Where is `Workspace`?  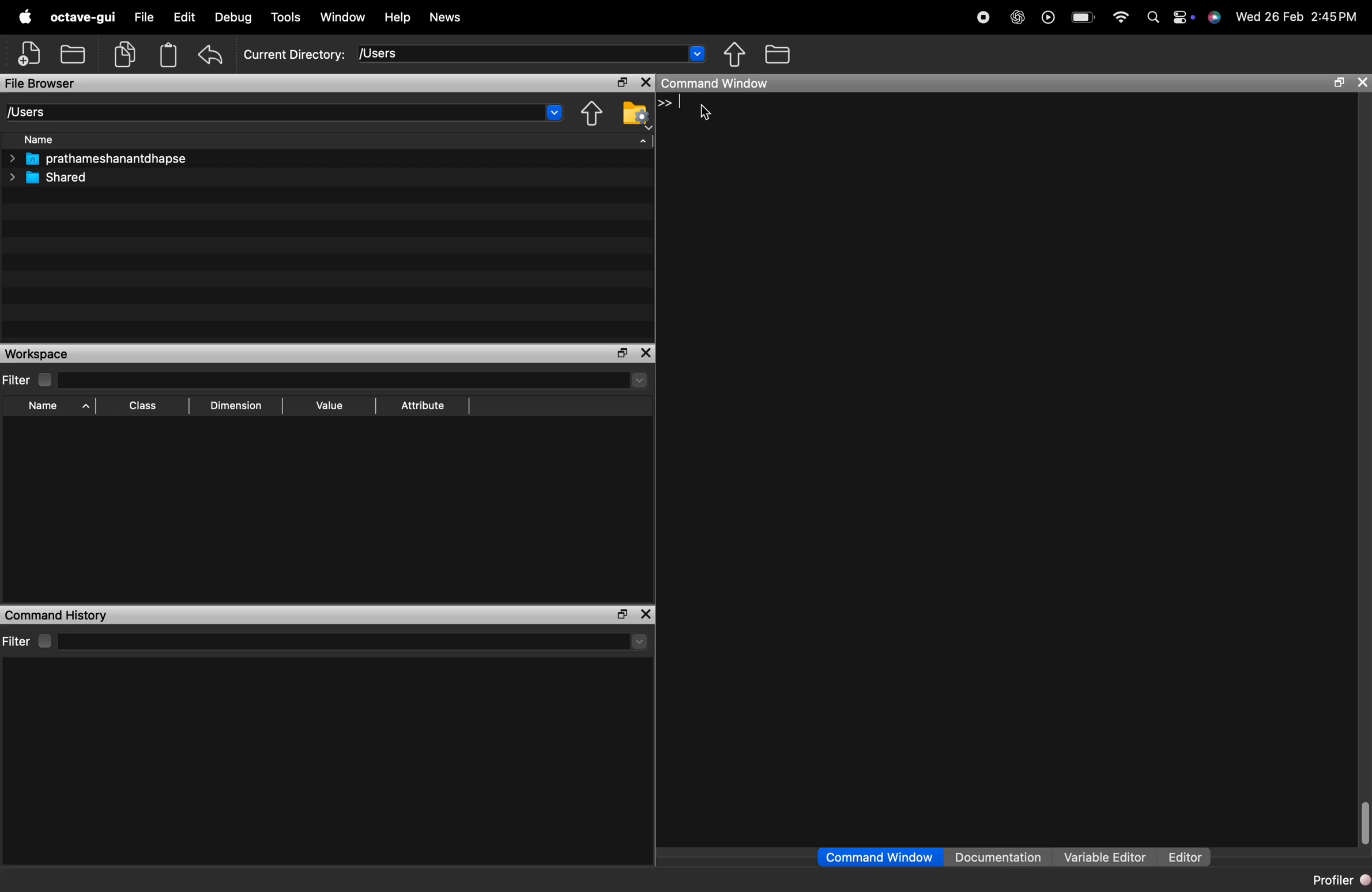 Workspace is located at coordinates (36, 353).